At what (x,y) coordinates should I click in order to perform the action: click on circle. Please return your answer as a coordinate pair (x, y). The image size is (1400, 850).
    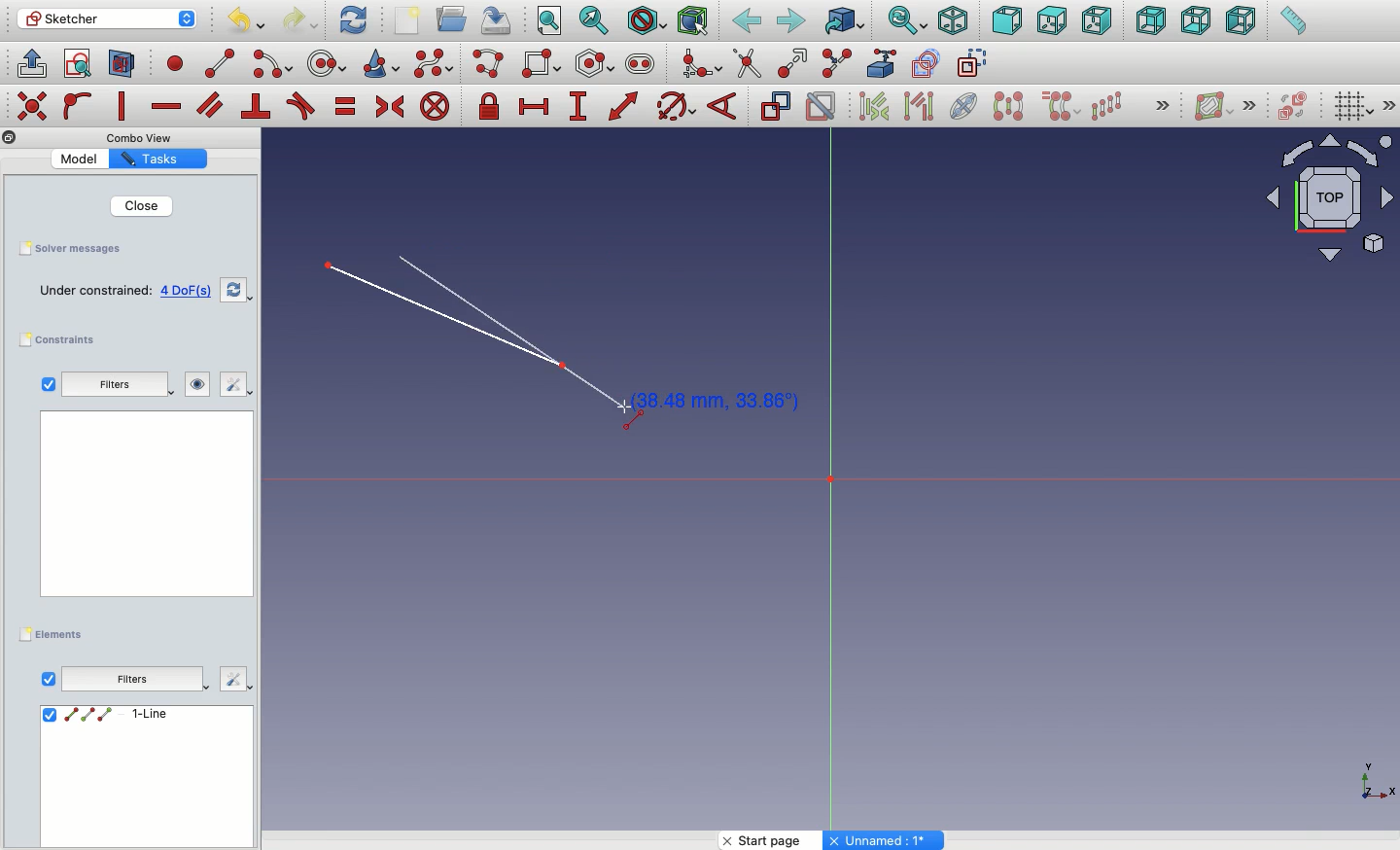
    Looking at the image, I should click on (328, 63).